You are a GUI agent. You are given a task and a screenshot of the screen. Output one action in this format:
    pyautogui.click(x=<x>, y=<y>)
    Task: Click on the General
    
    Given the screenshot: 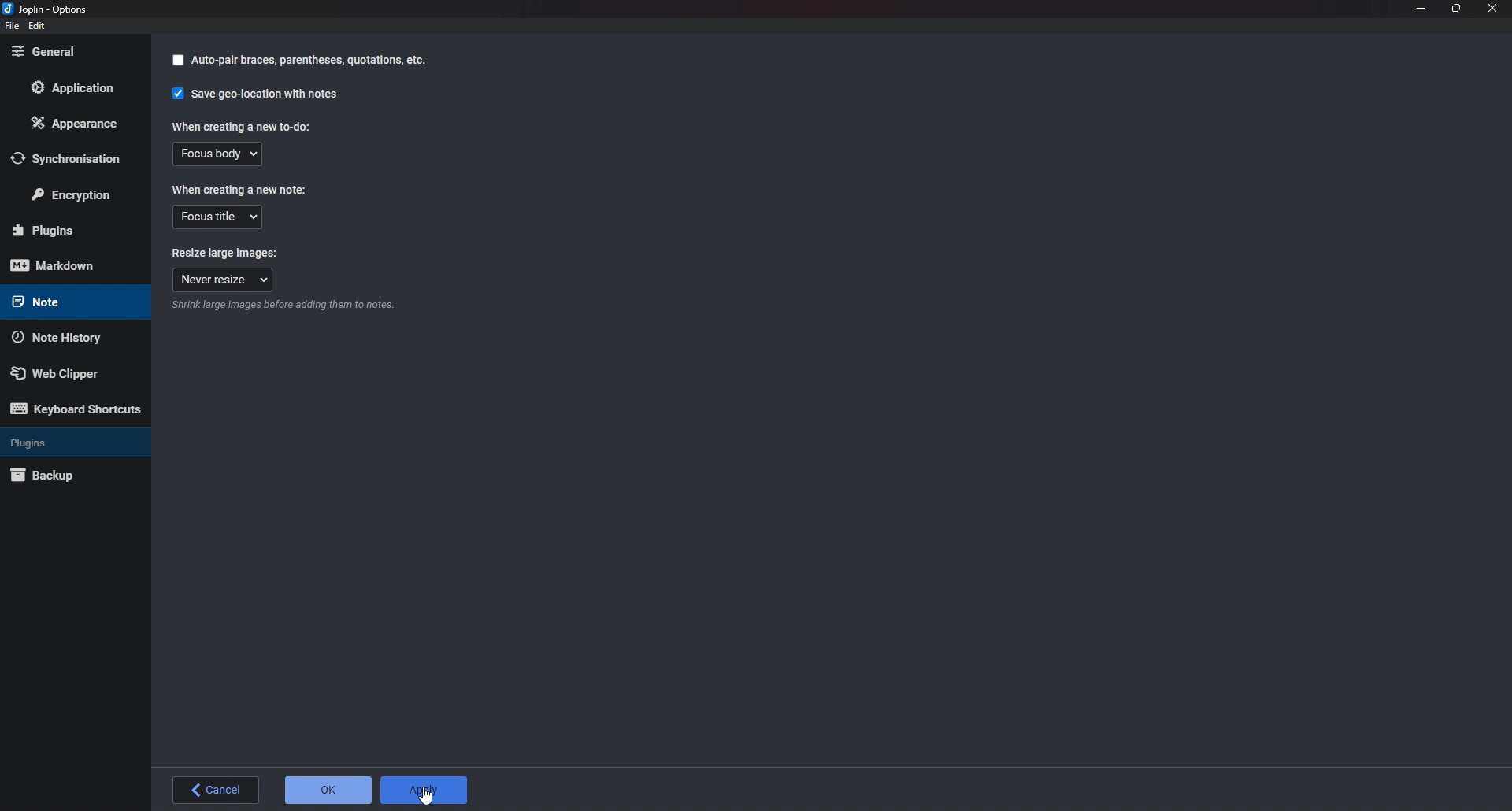 What is the action you would take?
    pyautogui.click(x=73, y=52)
    